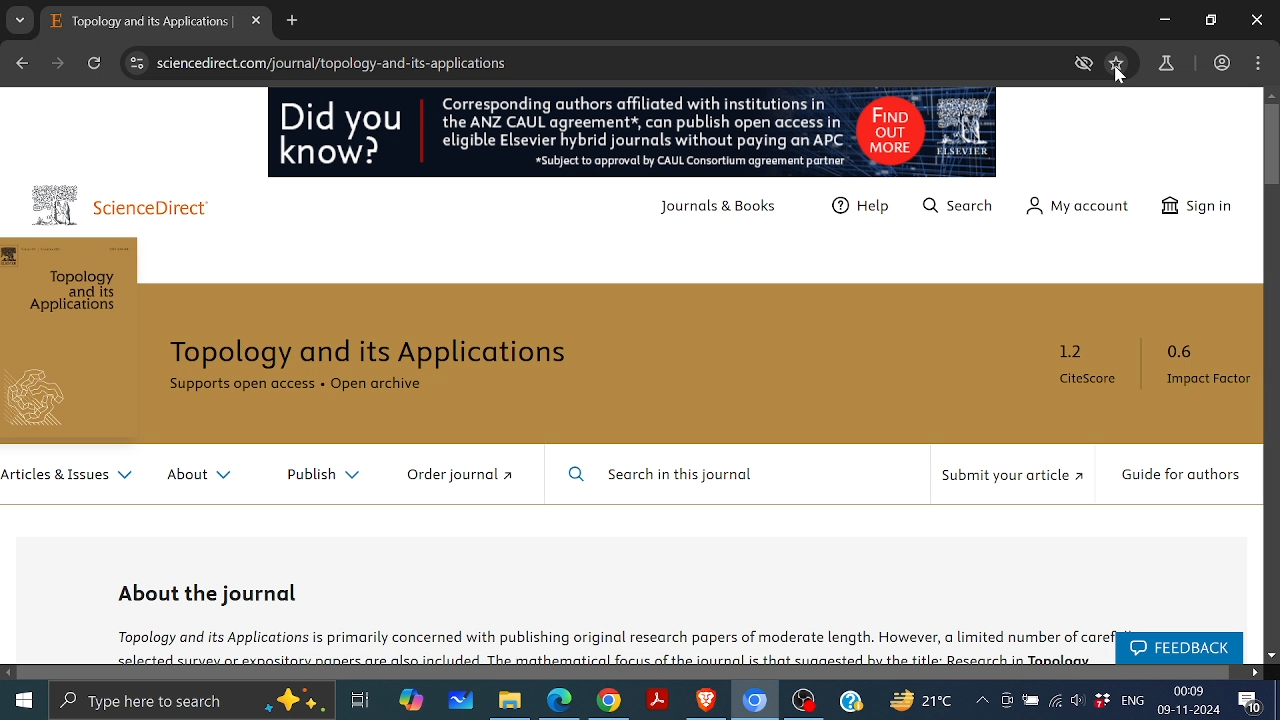 The height and width of the screenshot is (720, 1280). What do you see at coordinates (1030, 701) in the screenshot?
I see `Battery` at bounding box center [1030, 701].